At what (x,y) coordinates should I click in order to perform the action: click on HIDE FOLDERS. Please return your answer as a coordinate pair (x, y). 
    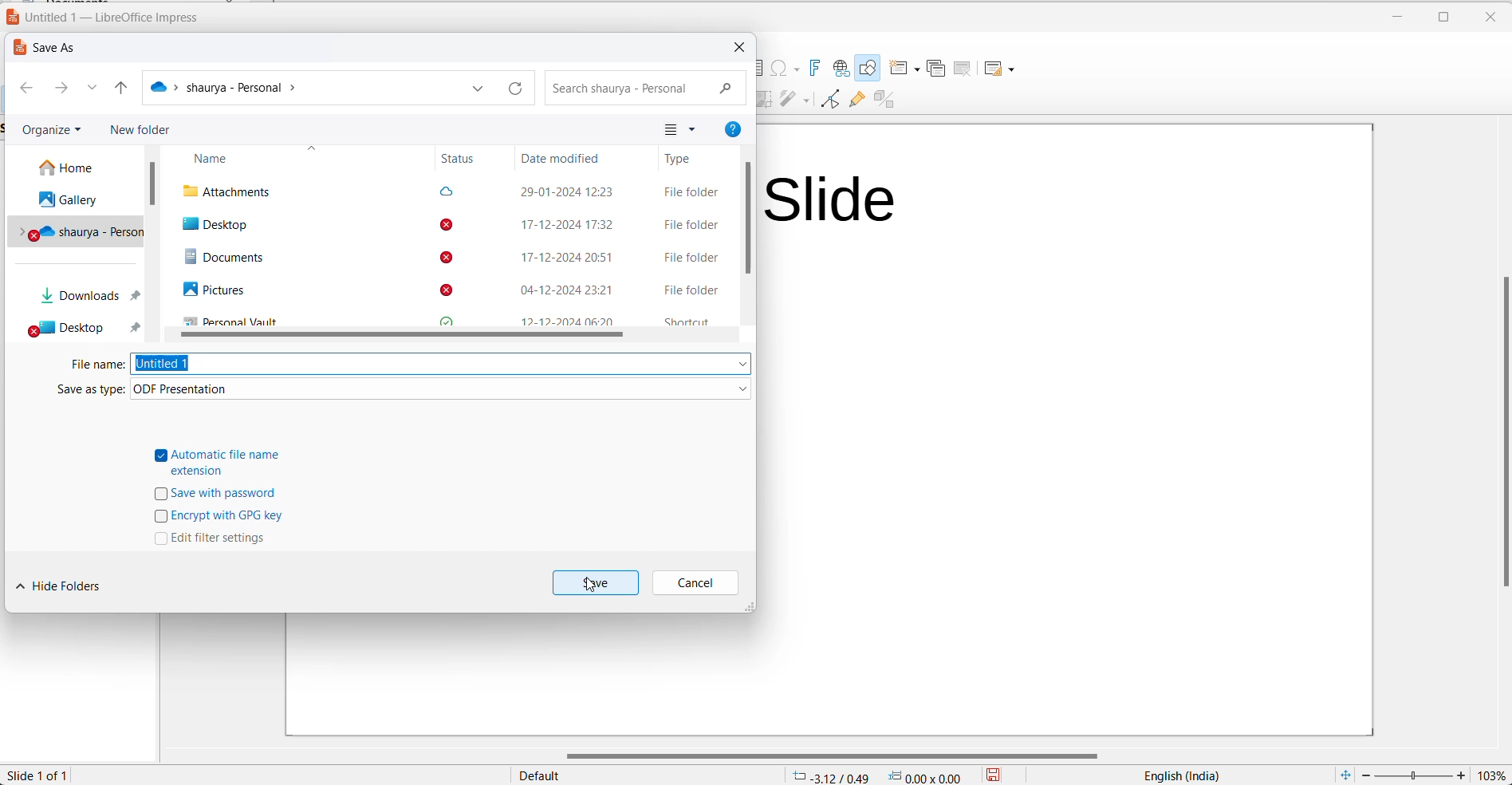
    Looking at the image, I should click on (65, 584).